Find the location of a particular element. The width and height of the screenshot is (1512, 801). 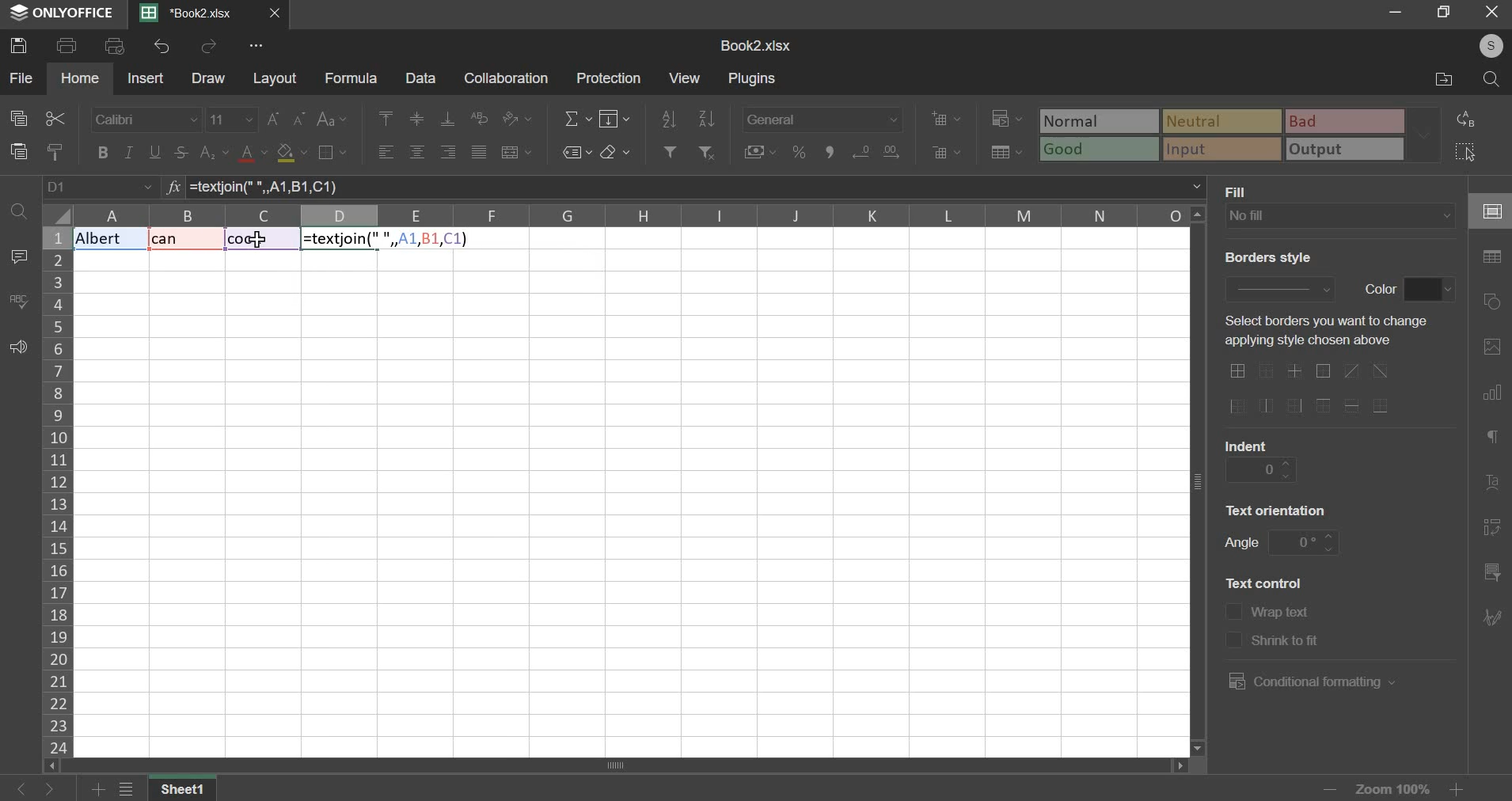

draw is located at coordinates (209, 79).